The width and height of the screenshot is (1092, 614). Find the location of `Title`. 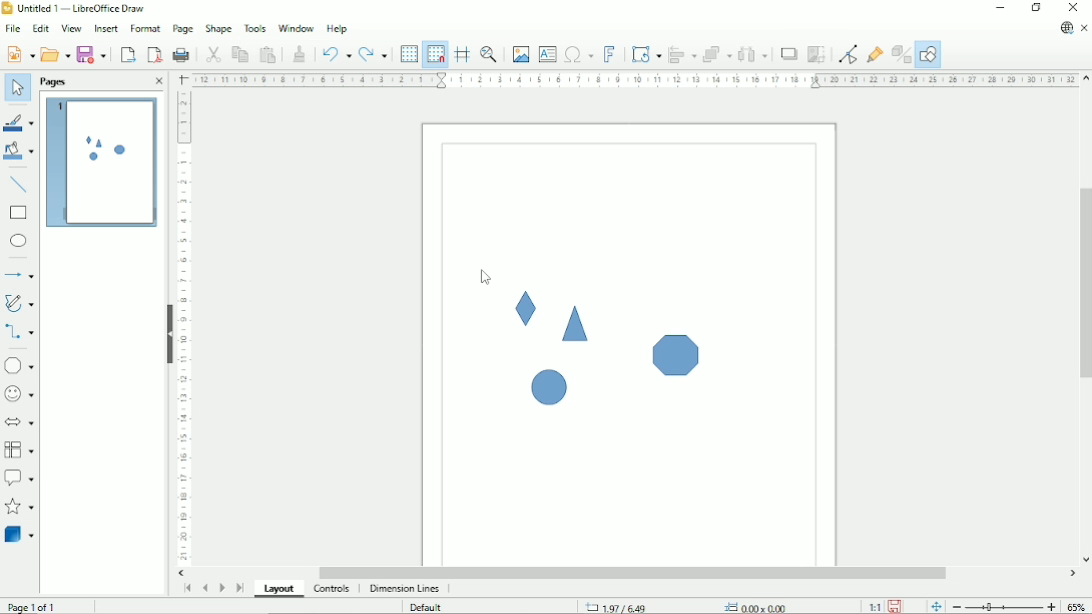

Title is located at coordinates (78, 9).